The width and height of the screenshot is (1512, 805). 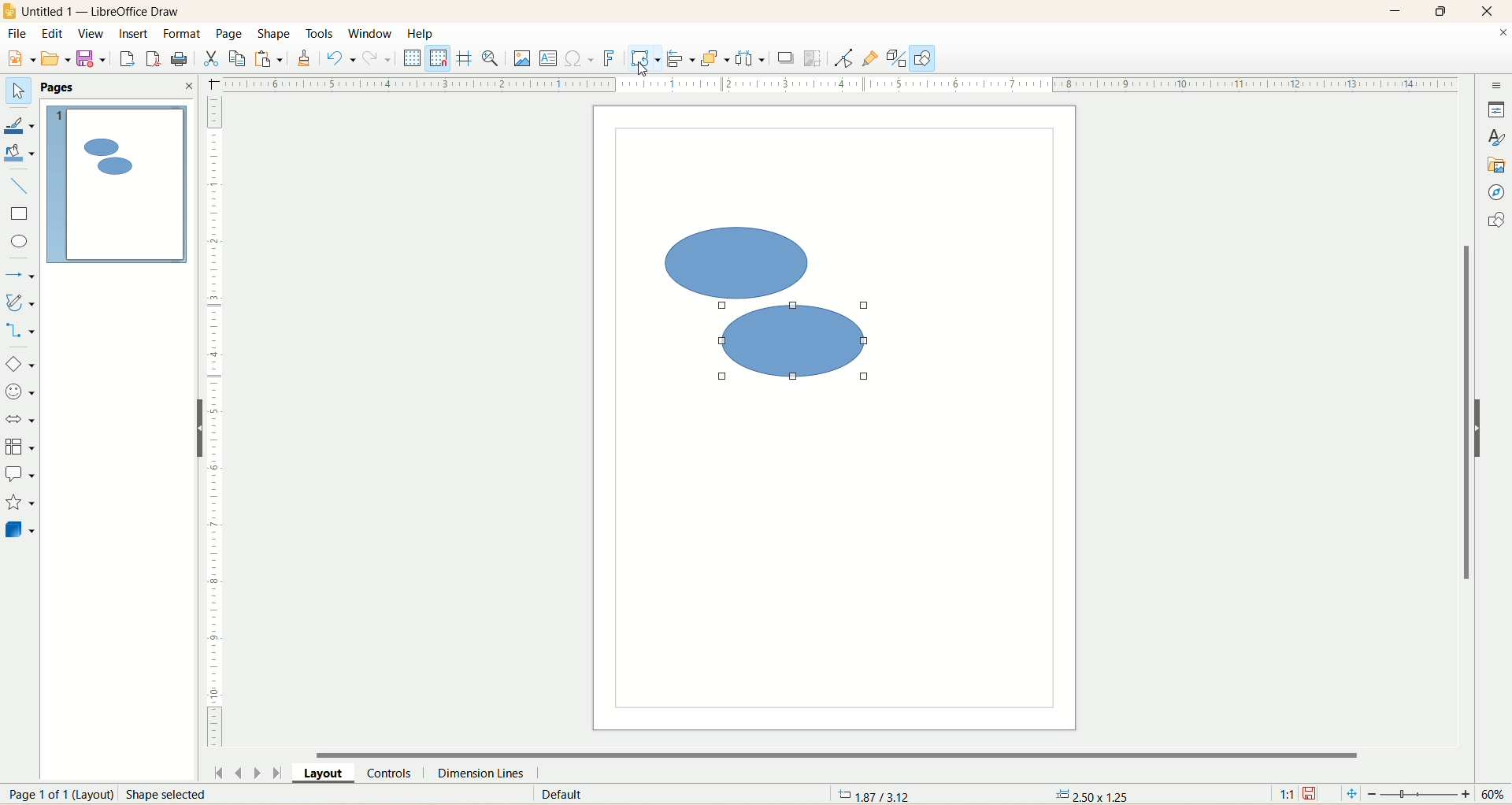 What do you see at coordinates (131, 34) in the screenshot?
I see `insert` at bounding box center [131, 34].